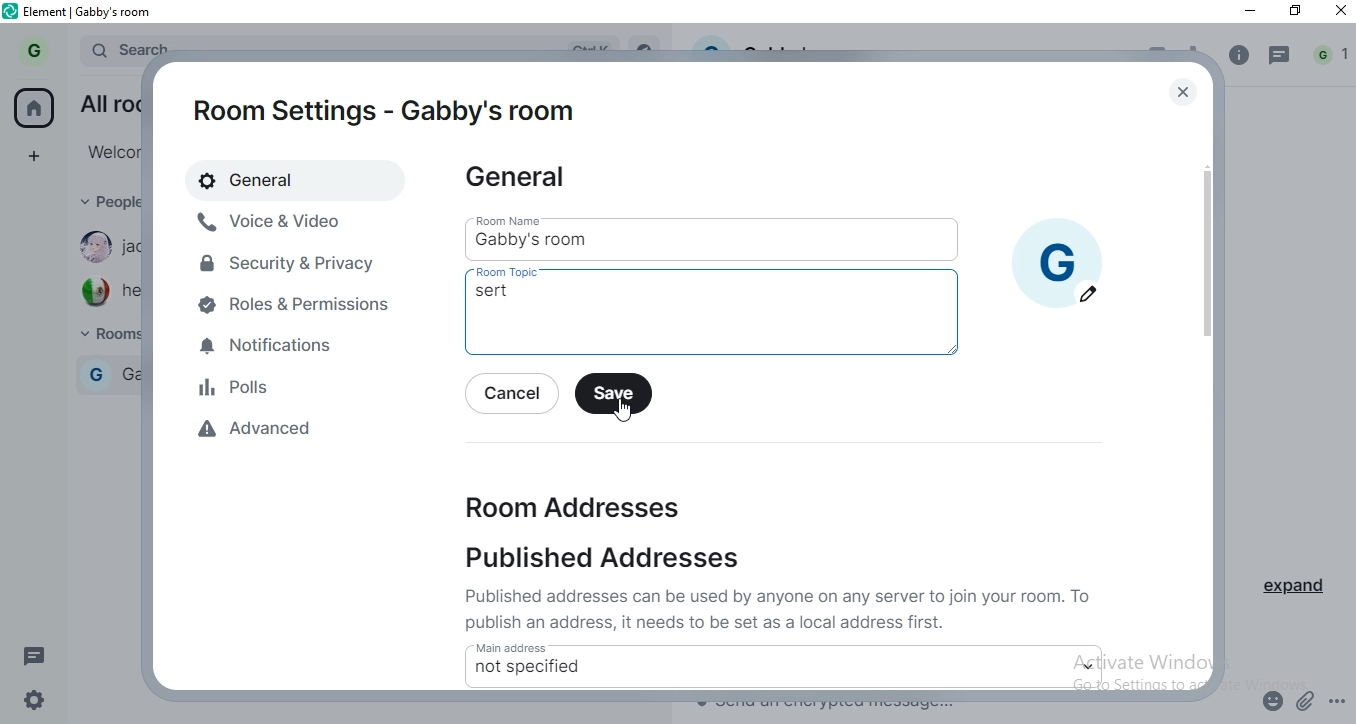 The width and height of the screenshot is (1356, 724). I want to click on emoji, so click(1274, 698).